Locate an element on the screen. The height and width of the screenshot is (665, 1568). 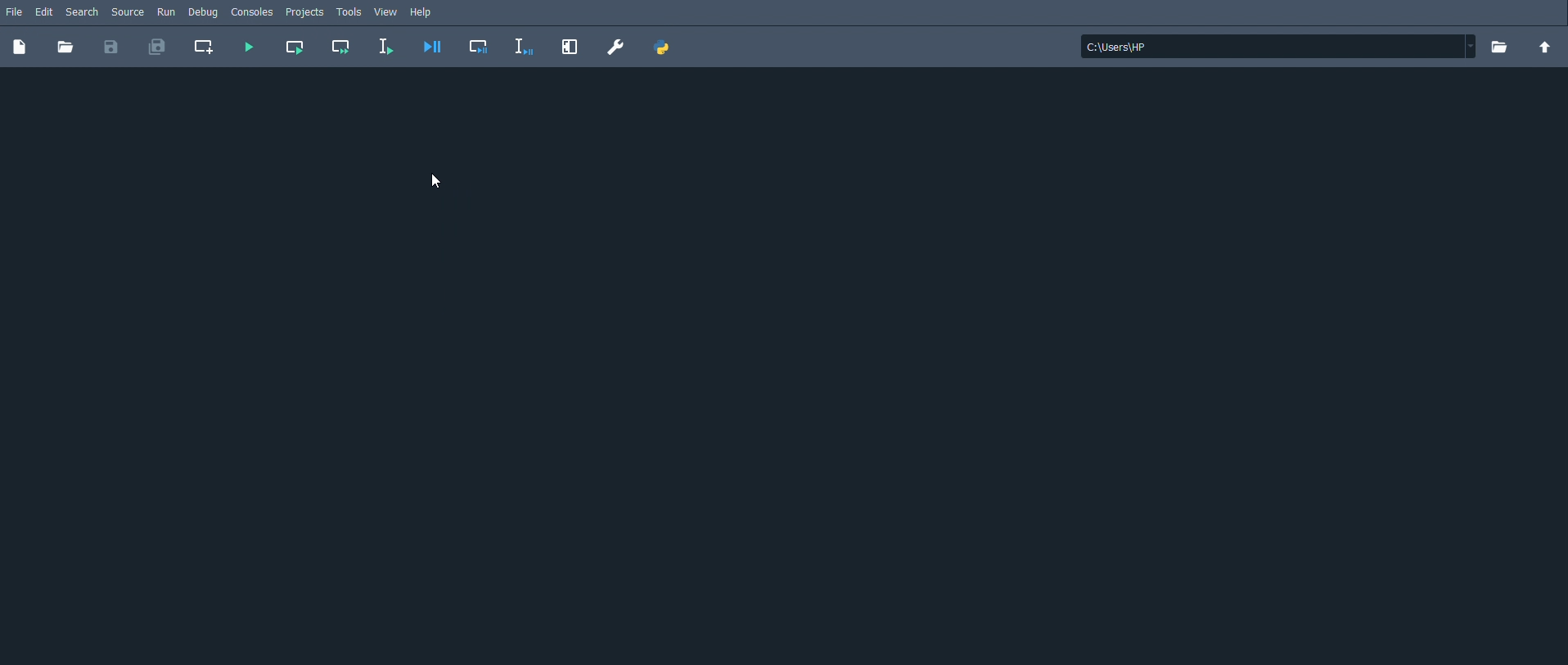
Run current cell is located at coordinates (296, 47).